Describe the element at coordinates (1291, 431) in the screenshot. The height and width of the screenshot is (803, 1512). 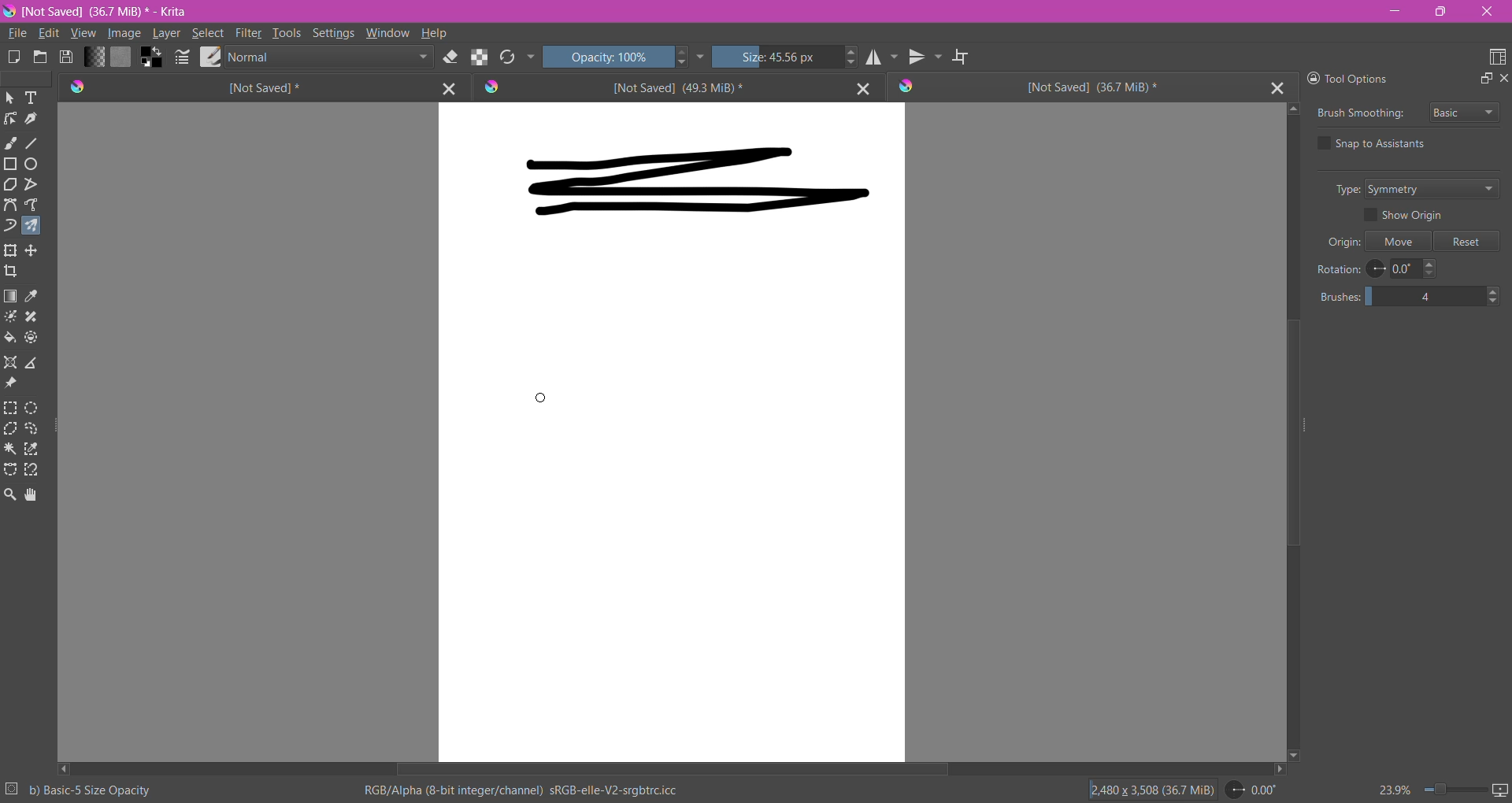
I see `Vertical Scroll Bar` at that location.